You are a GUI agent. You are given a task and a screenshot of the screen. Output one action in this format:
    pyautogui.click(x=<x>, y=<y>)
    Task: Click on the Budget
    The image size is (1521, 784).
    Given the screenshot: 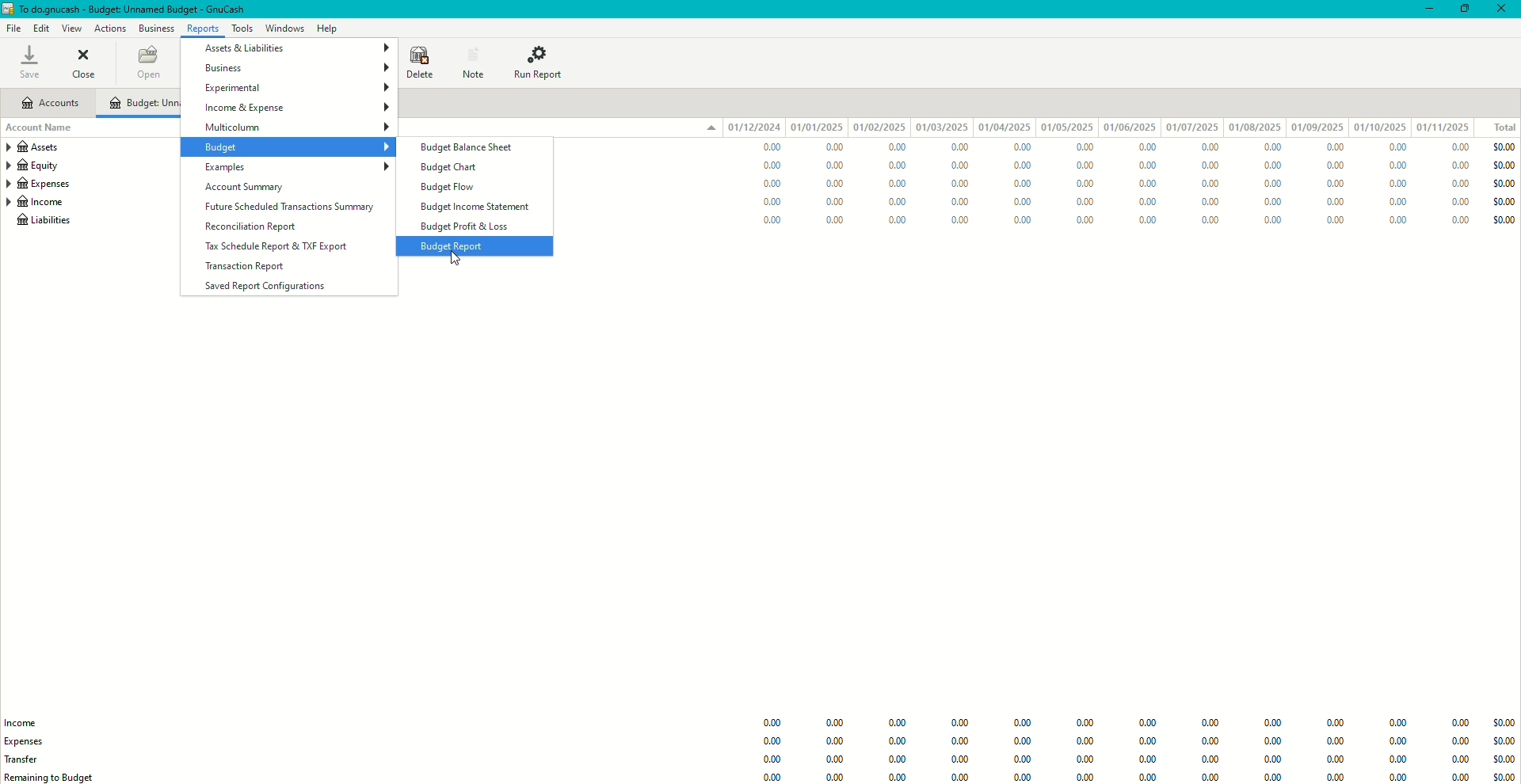 What is the action you would take?
    pyautogui.click(x=299, y=147)
    